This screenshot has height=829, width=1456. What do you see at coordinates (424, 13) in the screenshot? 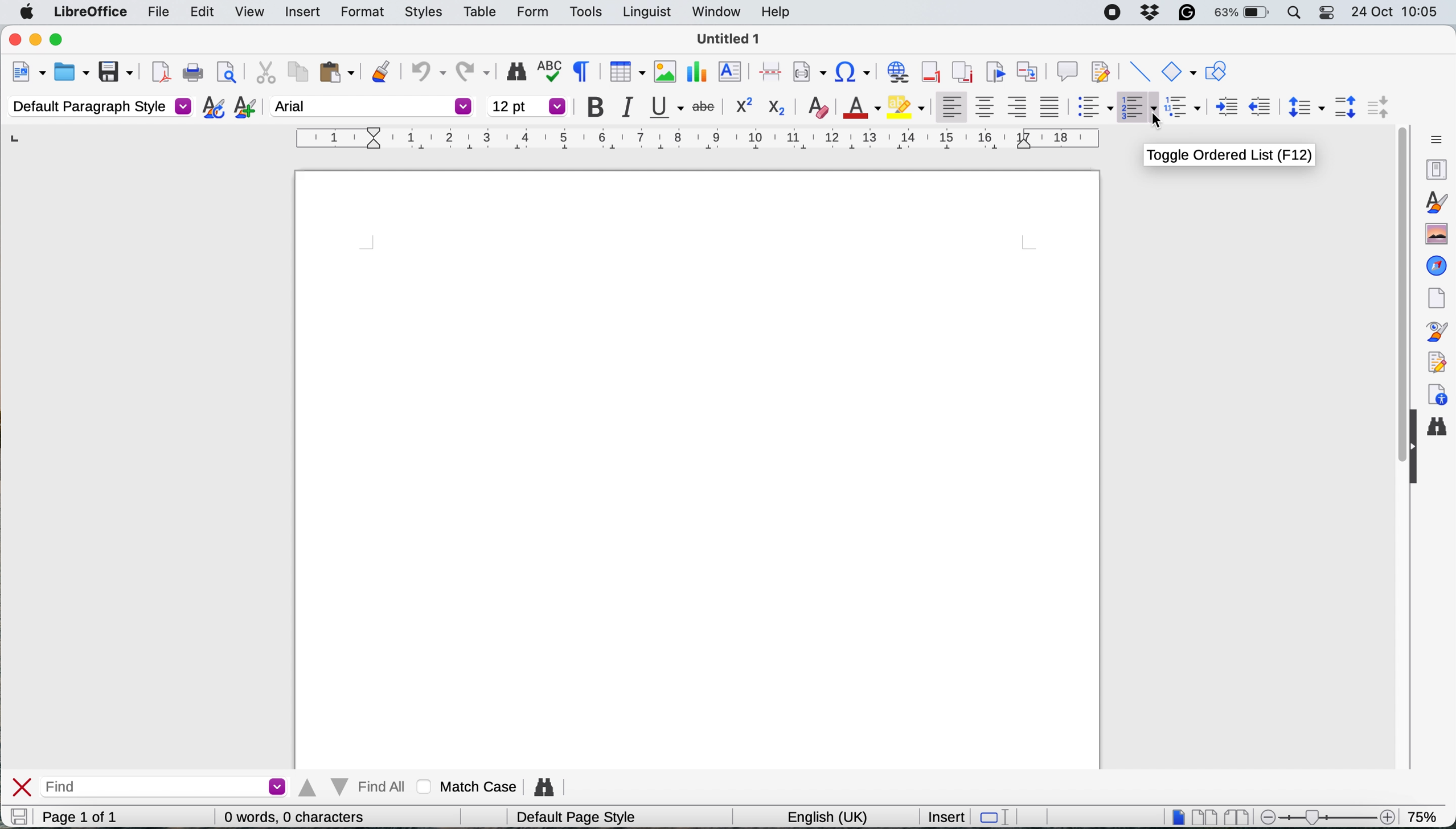
I see `styles` at bounding box center [424, 13].